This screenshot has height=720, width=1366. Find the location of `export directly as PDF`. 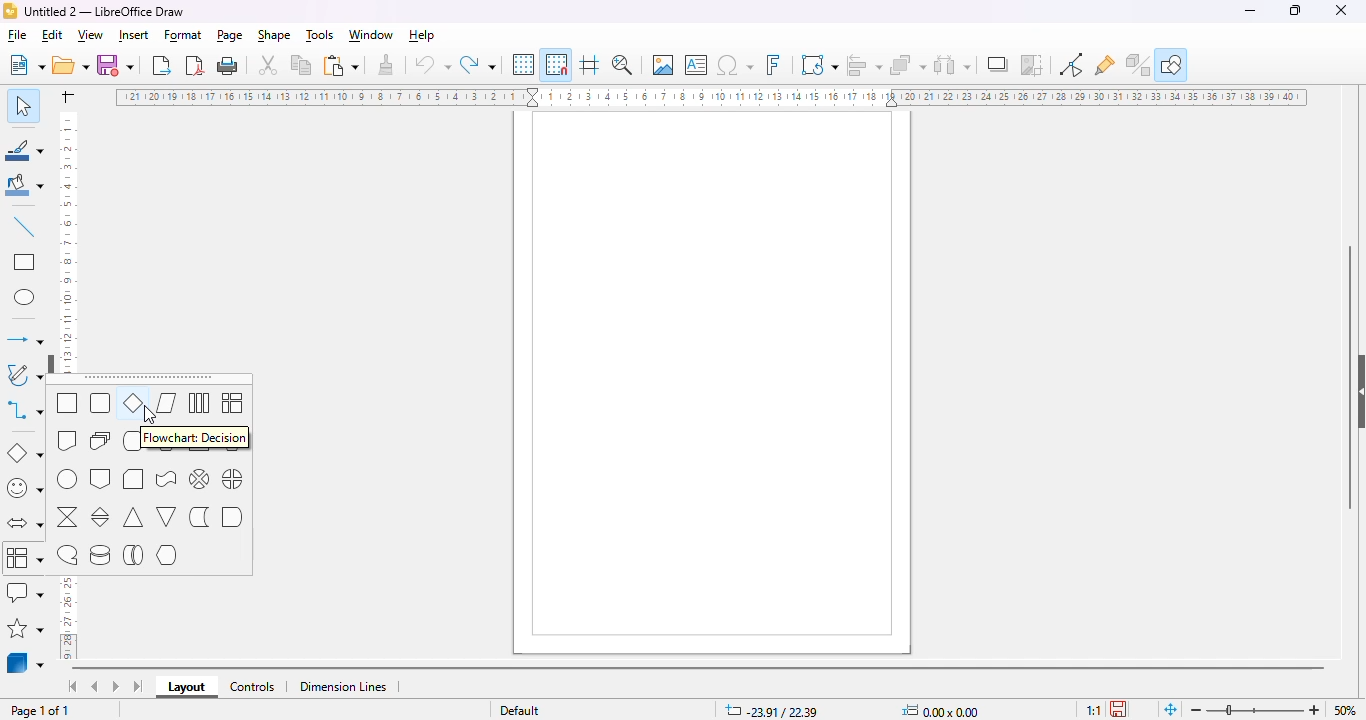

export directly as PDF is located at coordinates (196, 66).